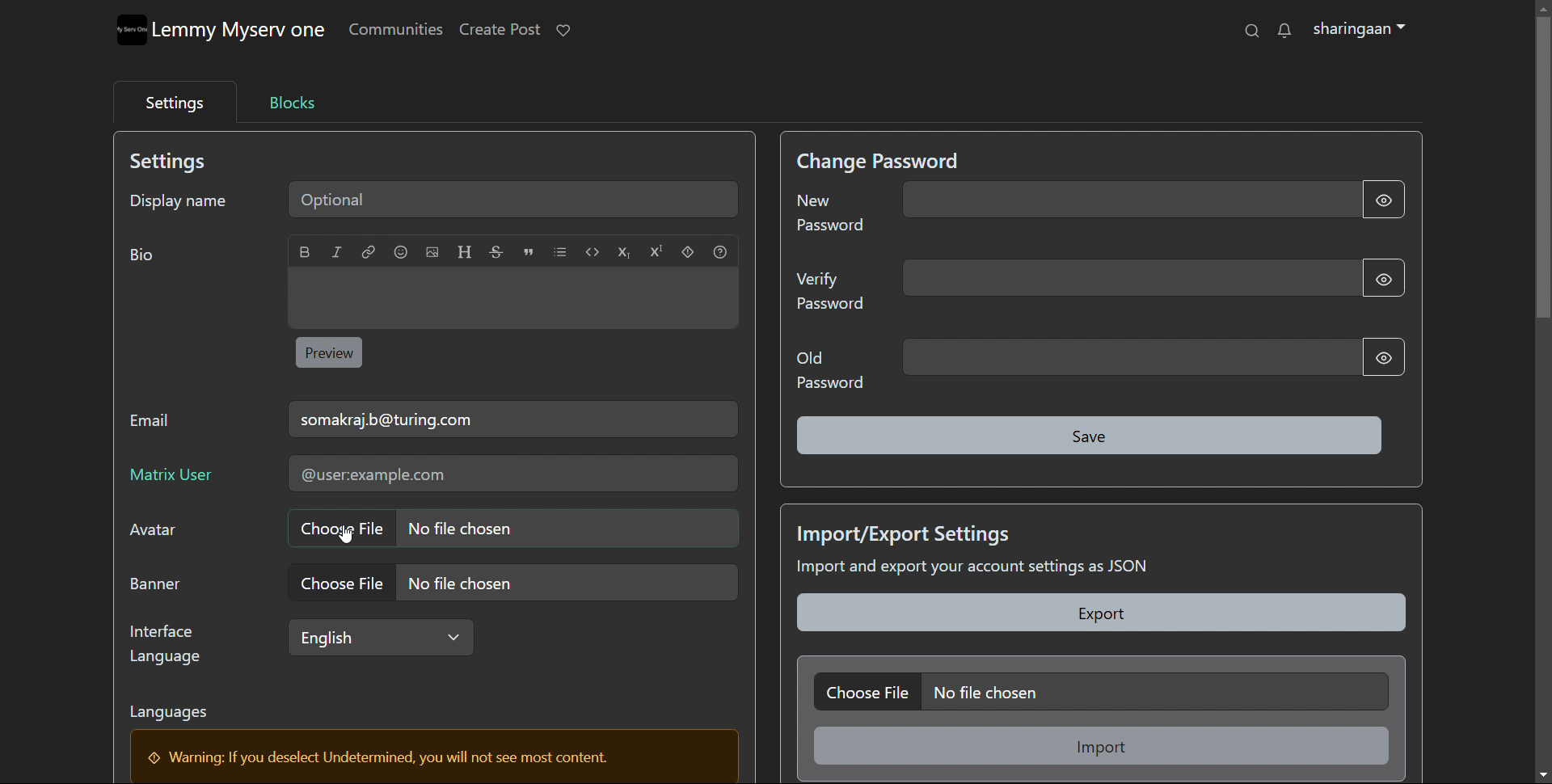  What do you see at coordinates (172, 100) in the screenshot?
I see `settings` at bounding box center [172, 100].